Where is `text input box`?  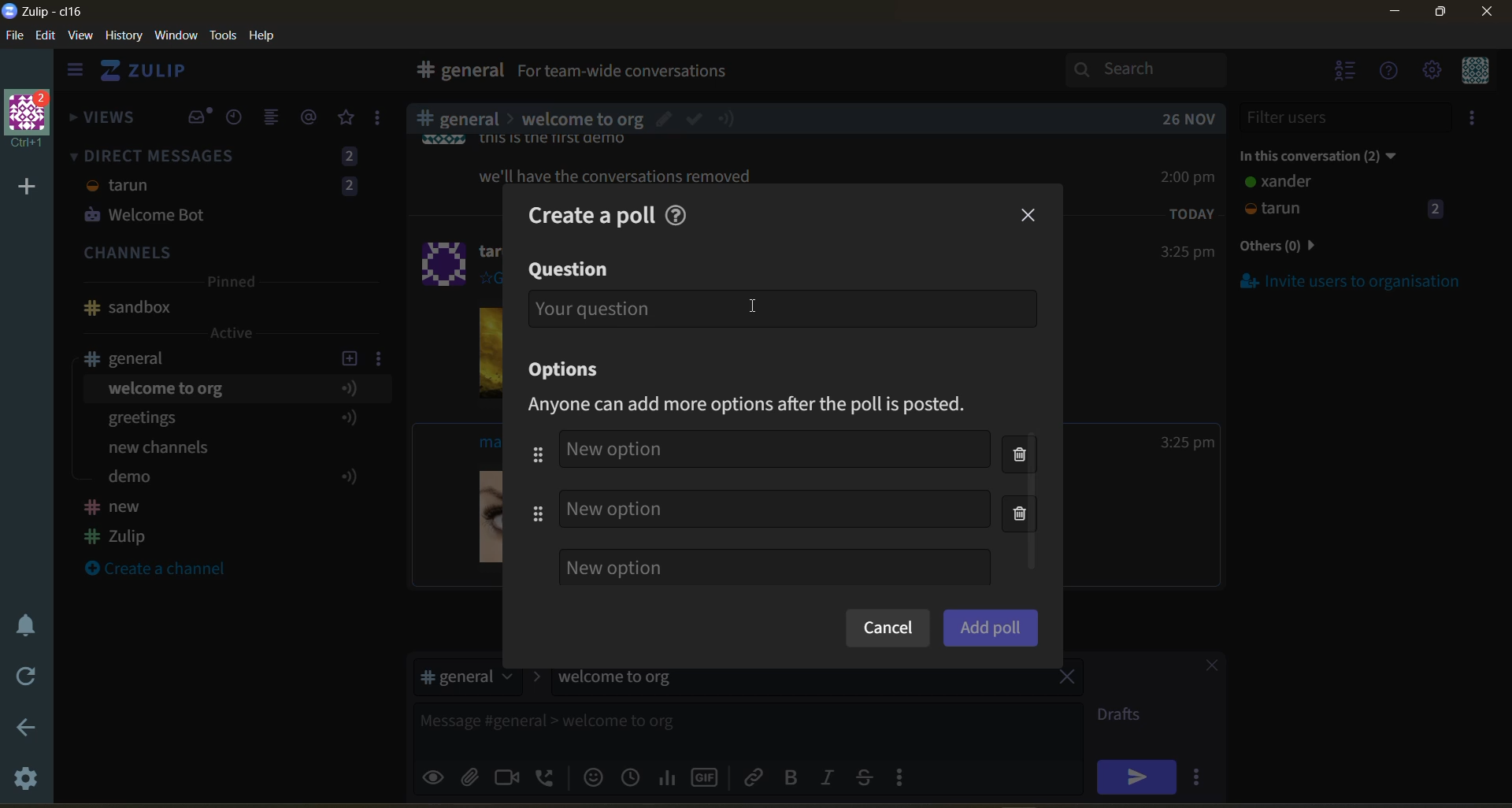 text input box is located at coordinates (782, 308).